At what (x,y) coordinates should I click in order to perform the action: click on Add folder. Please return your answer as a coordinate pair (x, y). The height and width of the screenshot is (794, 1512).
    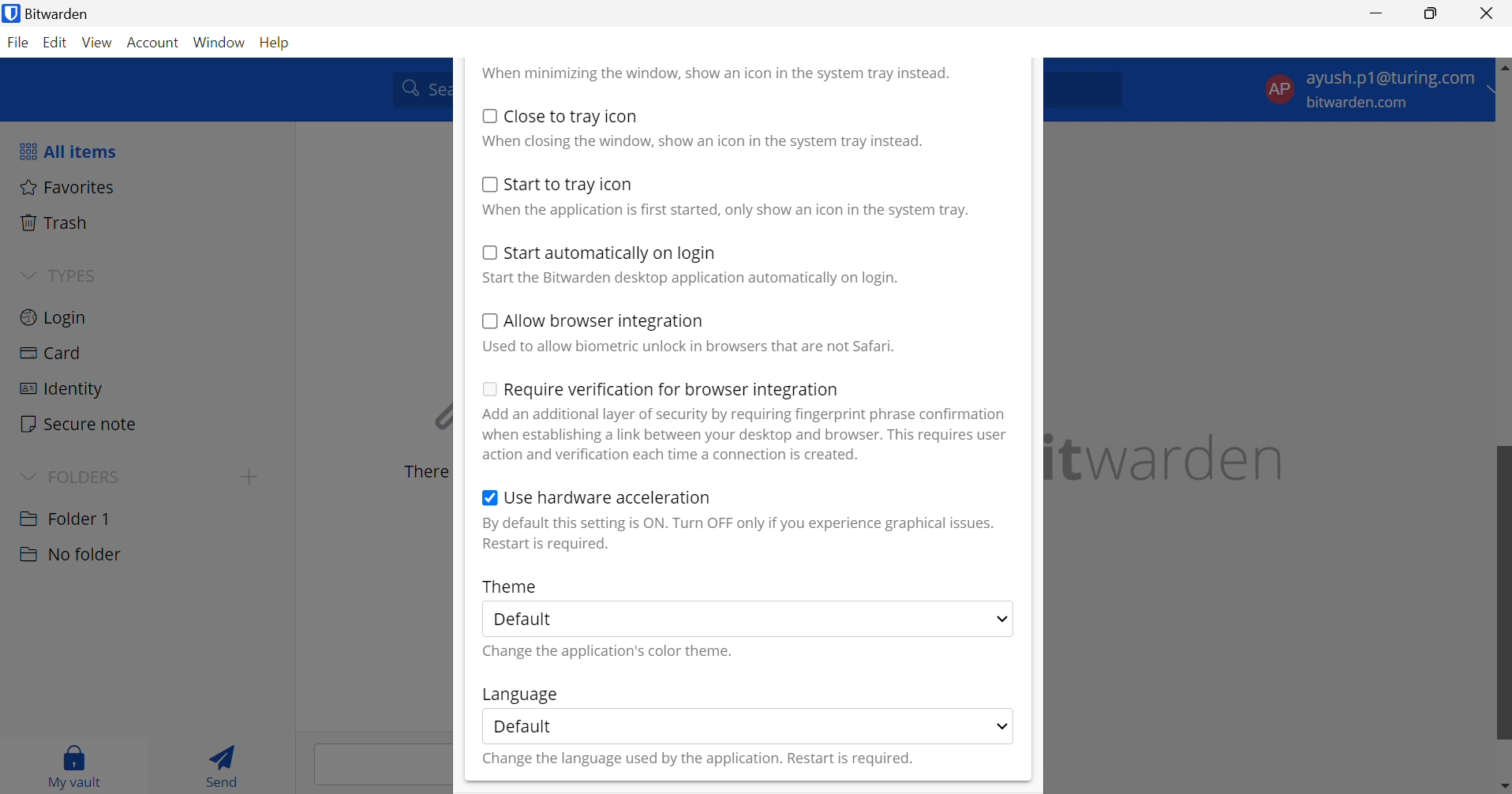
    Looking at the image, I should click on (249, 477).